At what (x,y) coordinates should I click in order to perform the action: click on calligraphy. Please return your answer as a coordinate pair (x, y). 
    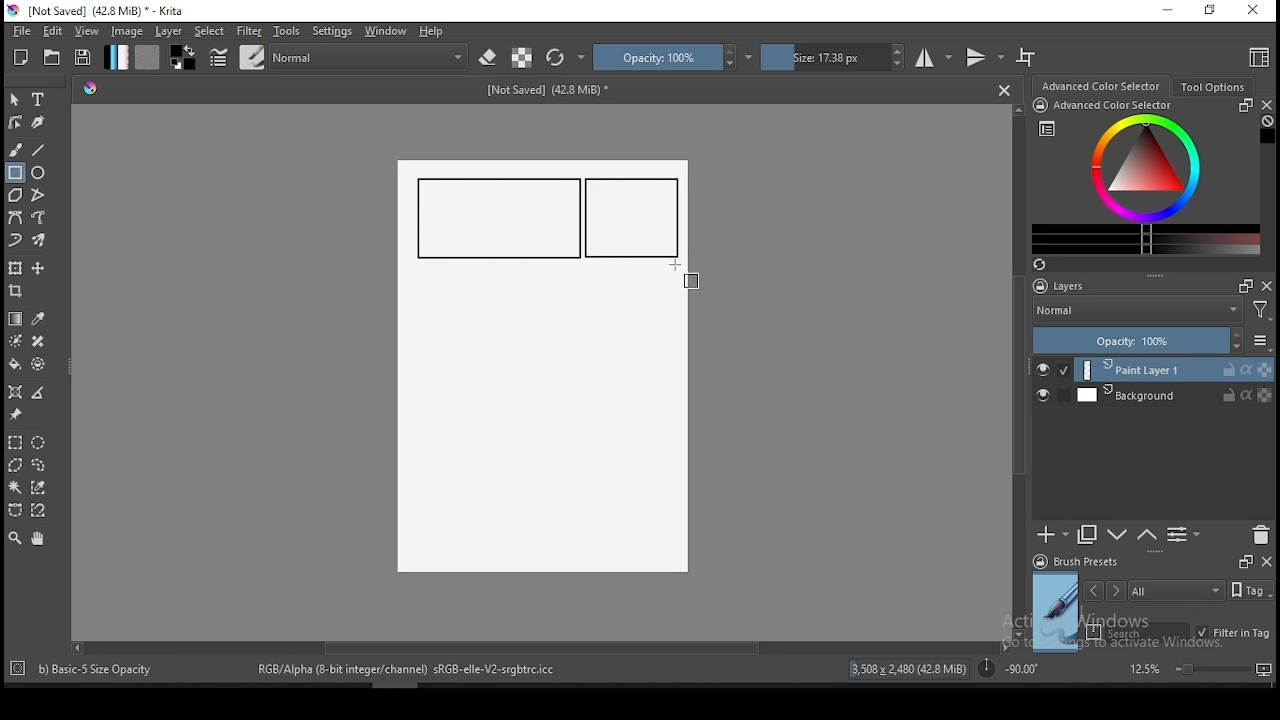
    Looking at the image, I should click on (39, 121).